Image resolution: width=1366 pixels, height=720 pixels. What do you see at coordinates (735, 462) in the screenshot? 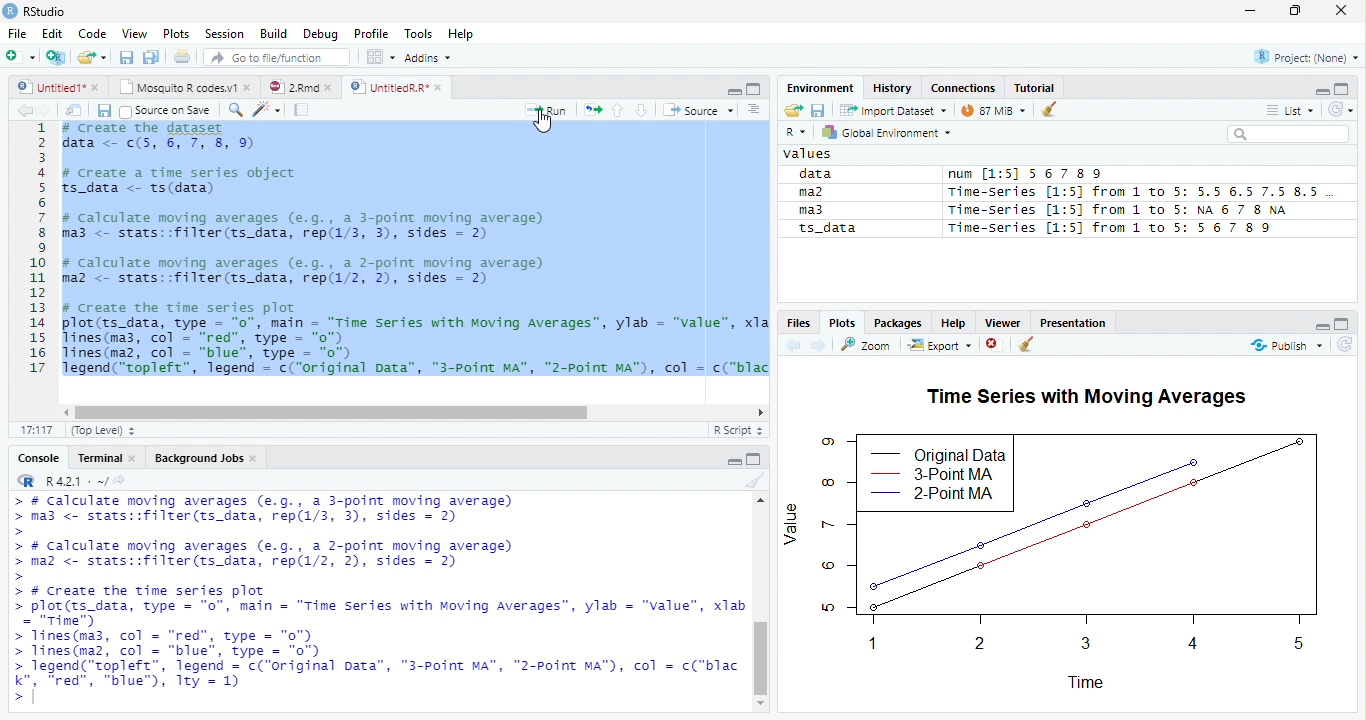
I see `maximize` at bounding box center [735, 462].